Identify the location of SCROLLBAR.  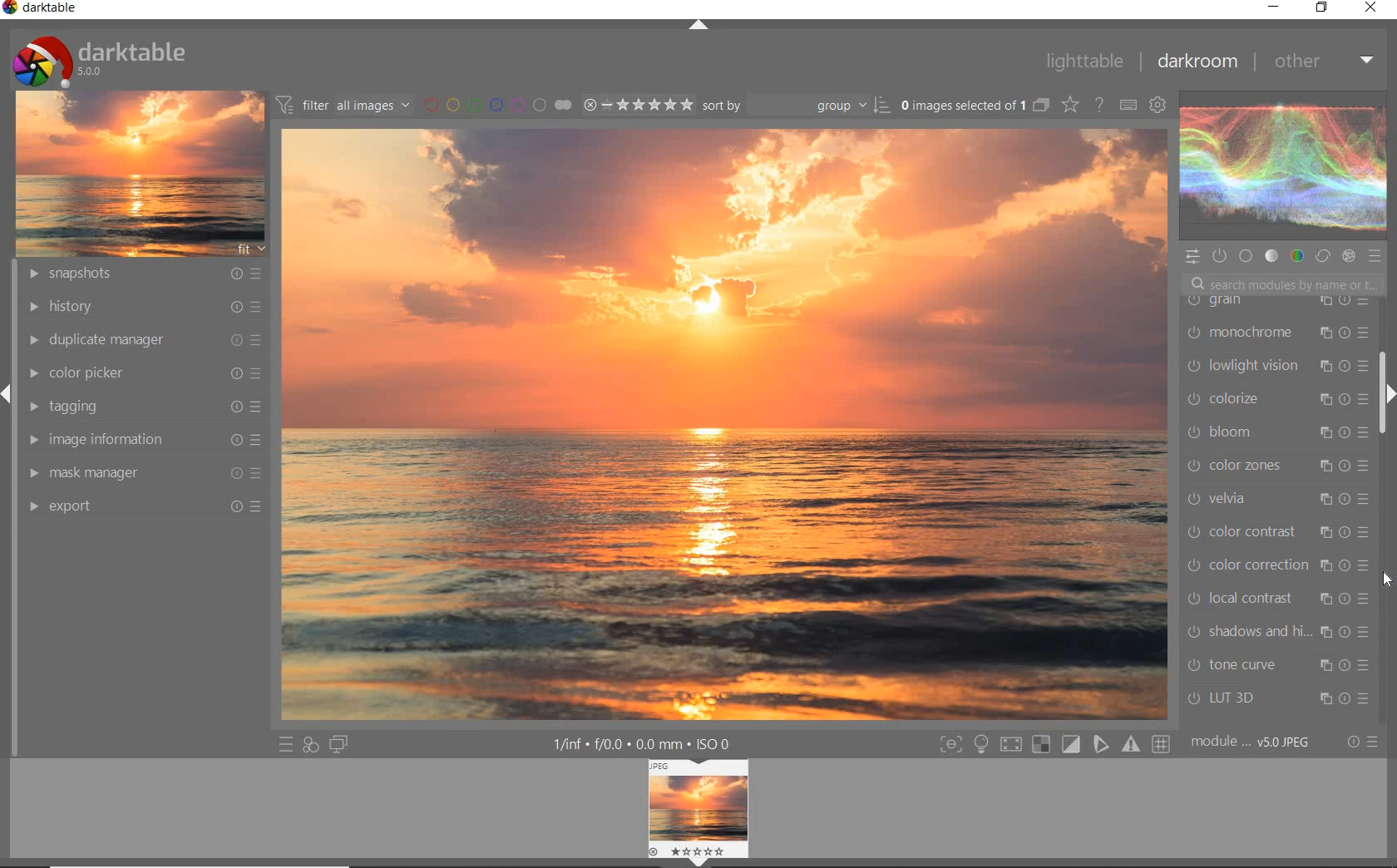
(1385, 338).